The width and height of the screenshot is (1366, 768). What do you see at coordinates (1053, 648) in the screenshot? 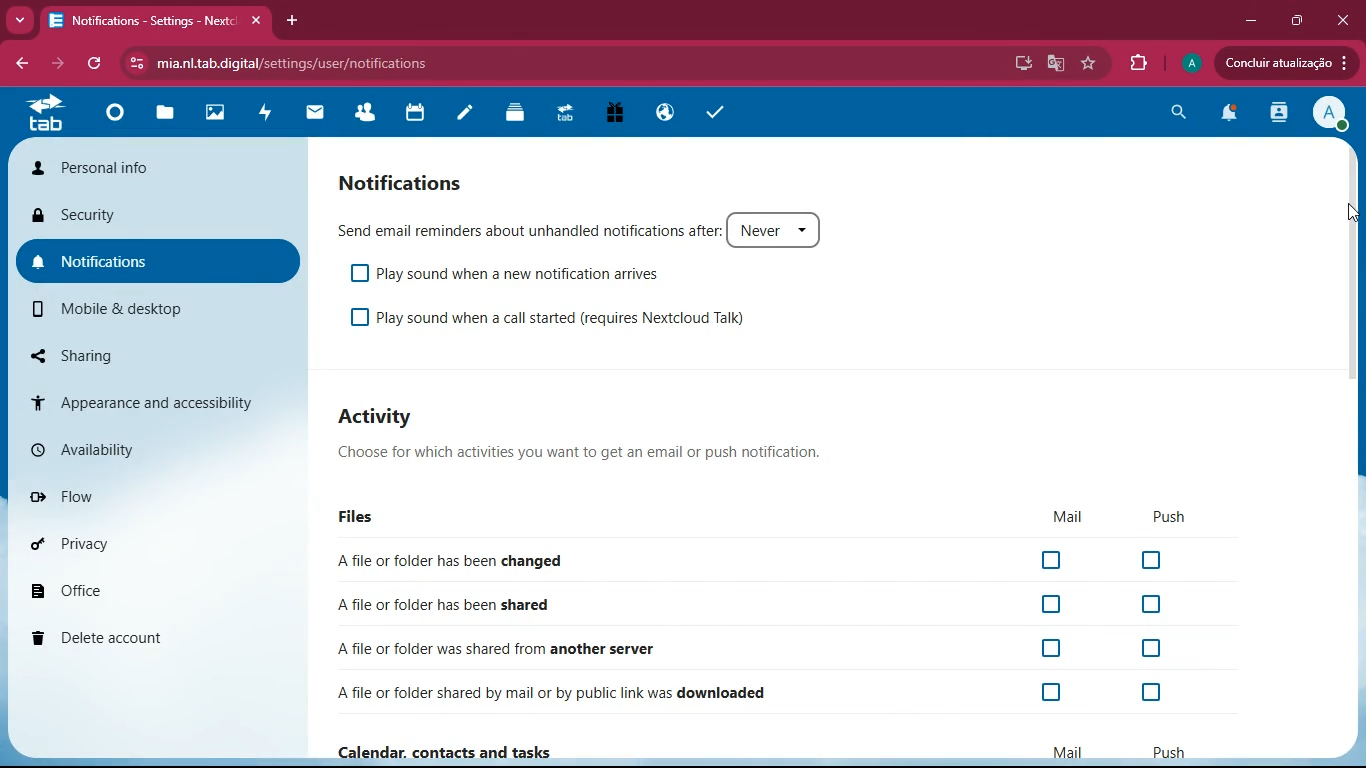
I see `off` at bounding box center [1053, 648].